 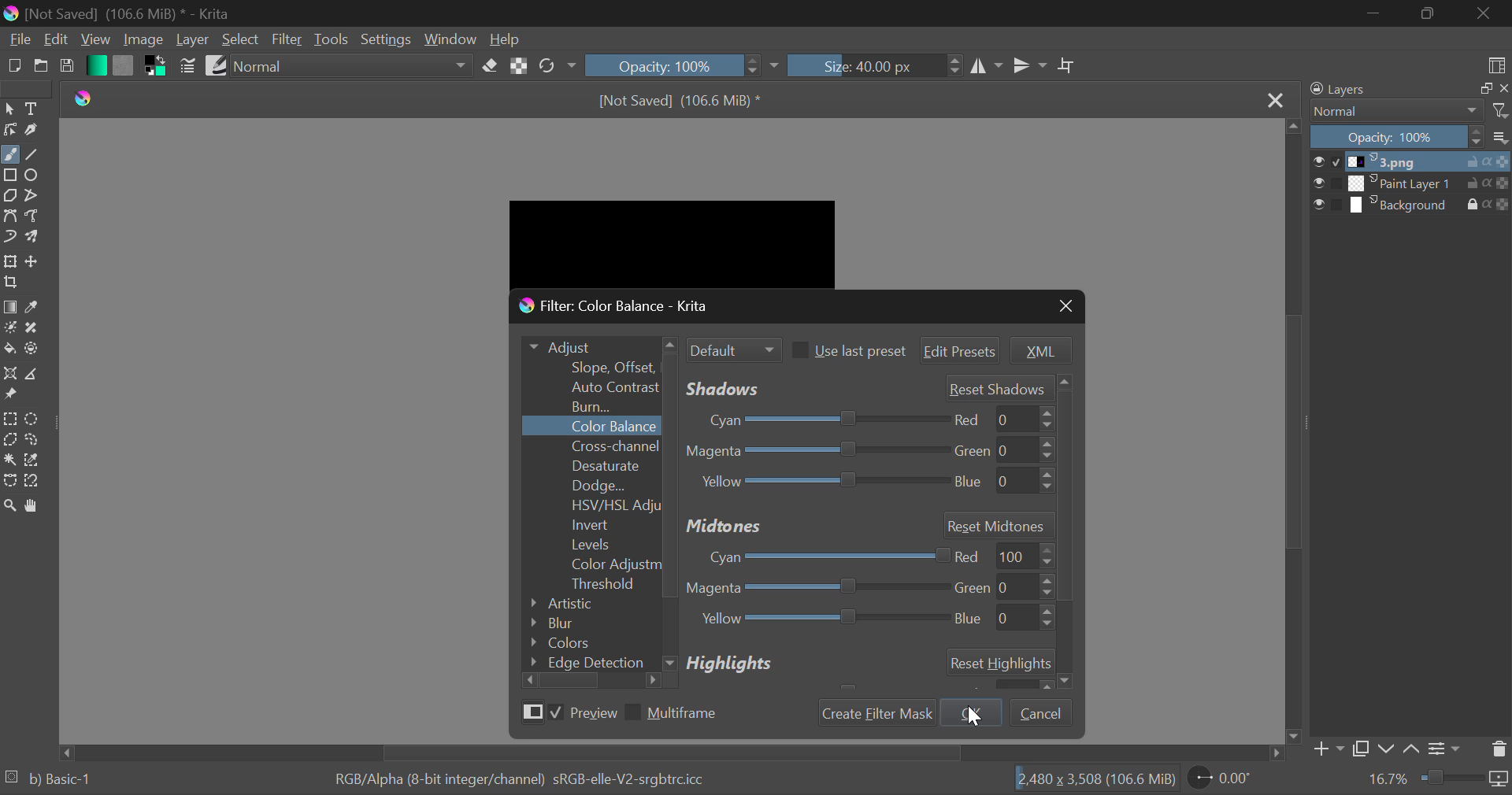 I want to click on Close, so click(x=1482, y=13).